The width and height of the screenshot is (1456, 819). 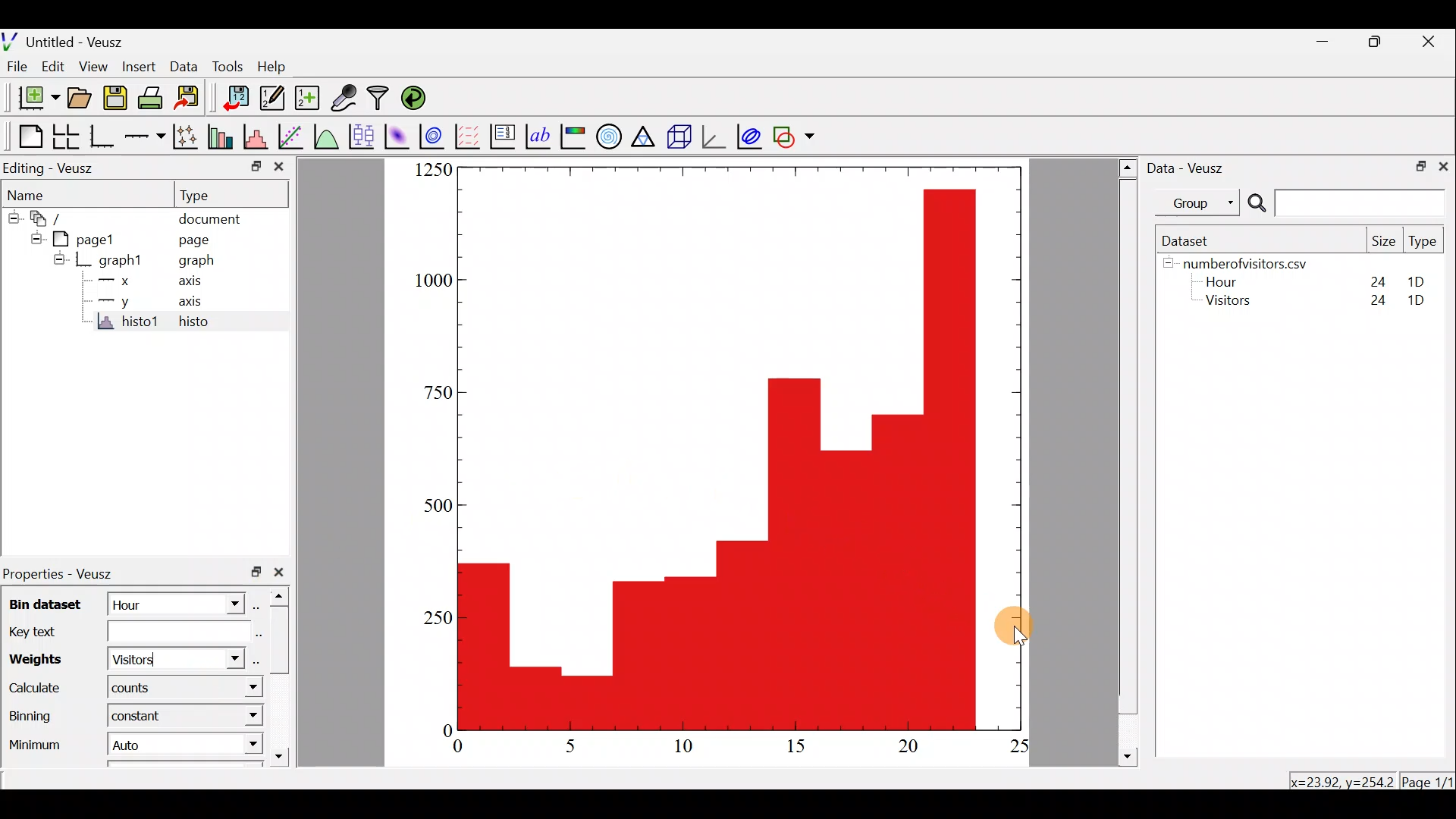 What do you see at coordinates (231, 745) in the screenshot?
I see `Minimum dropdown` at bounding box center [231, 745].